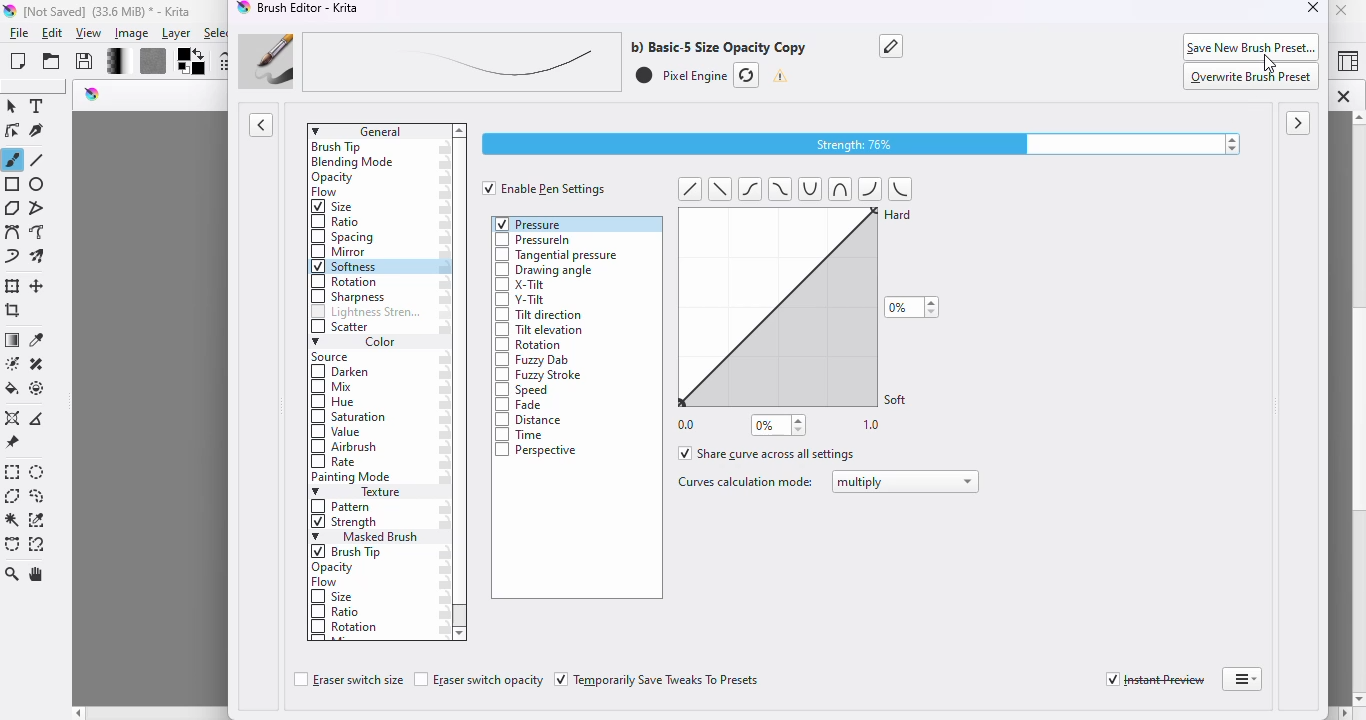  Describe the element at coordinates (900, 222) in the screenshot. I see `Hard` at that location.